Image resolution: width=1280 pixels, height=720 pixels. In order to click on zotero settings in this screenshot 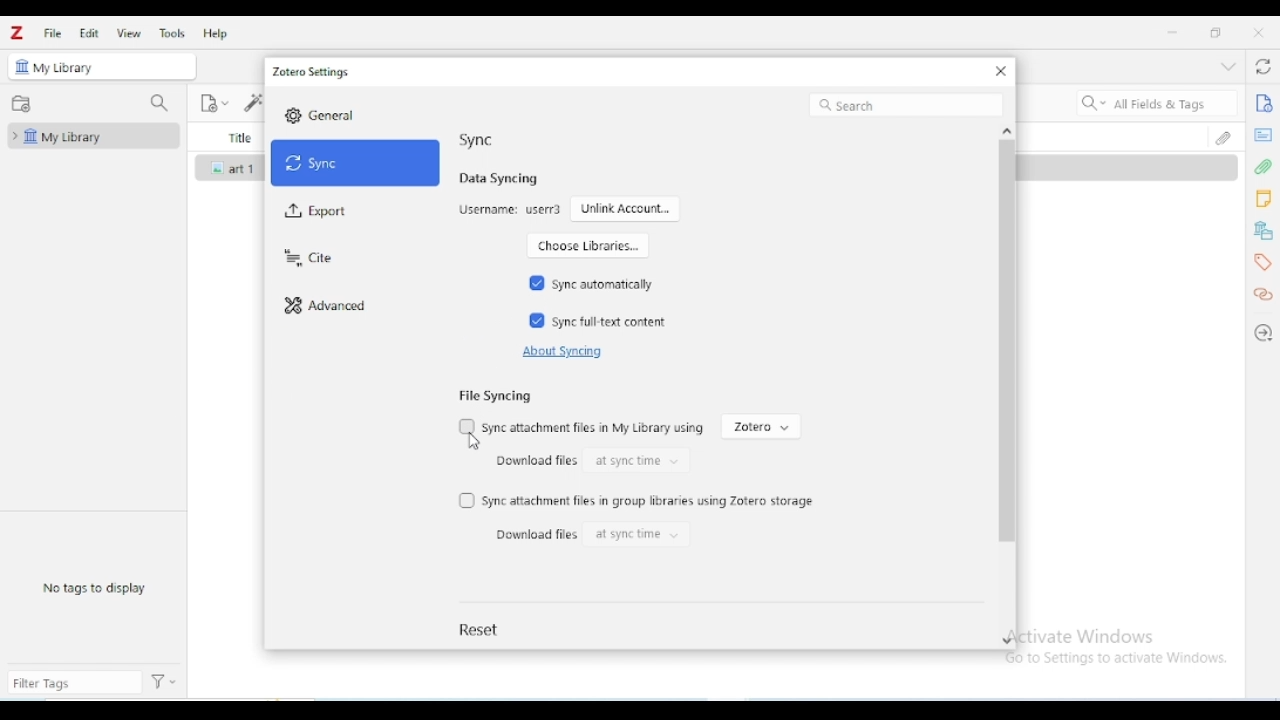, I will do `click(312, 72)`.